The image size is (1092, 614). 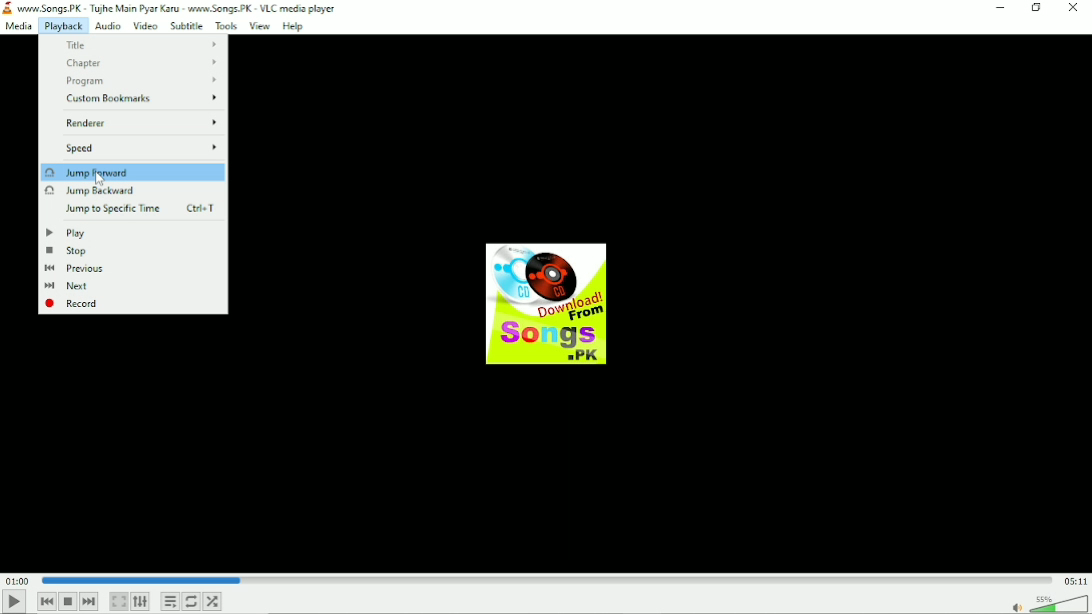 I want to click on Help, so click(x=294, y=27).